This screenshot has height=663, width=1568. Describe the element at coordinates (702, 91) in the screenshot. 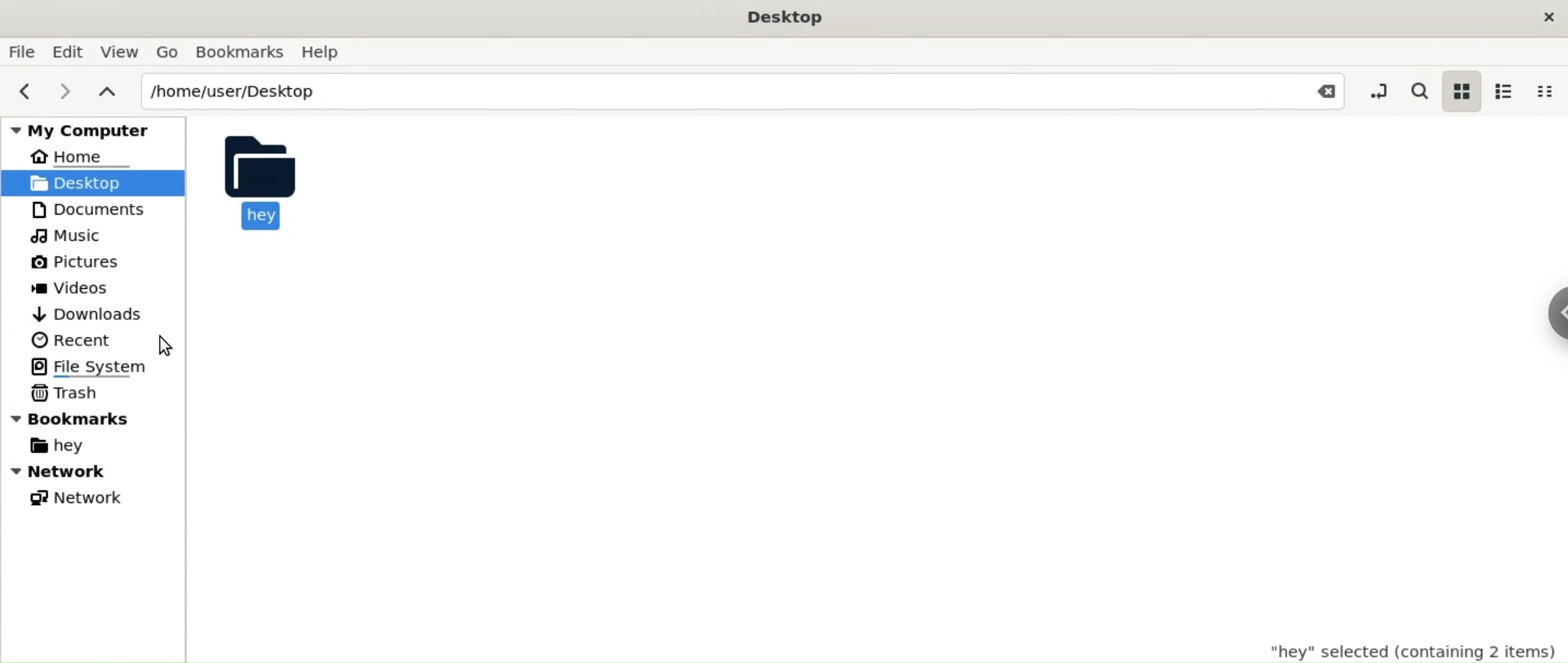

I see `/home/user/Desktop` at that location.